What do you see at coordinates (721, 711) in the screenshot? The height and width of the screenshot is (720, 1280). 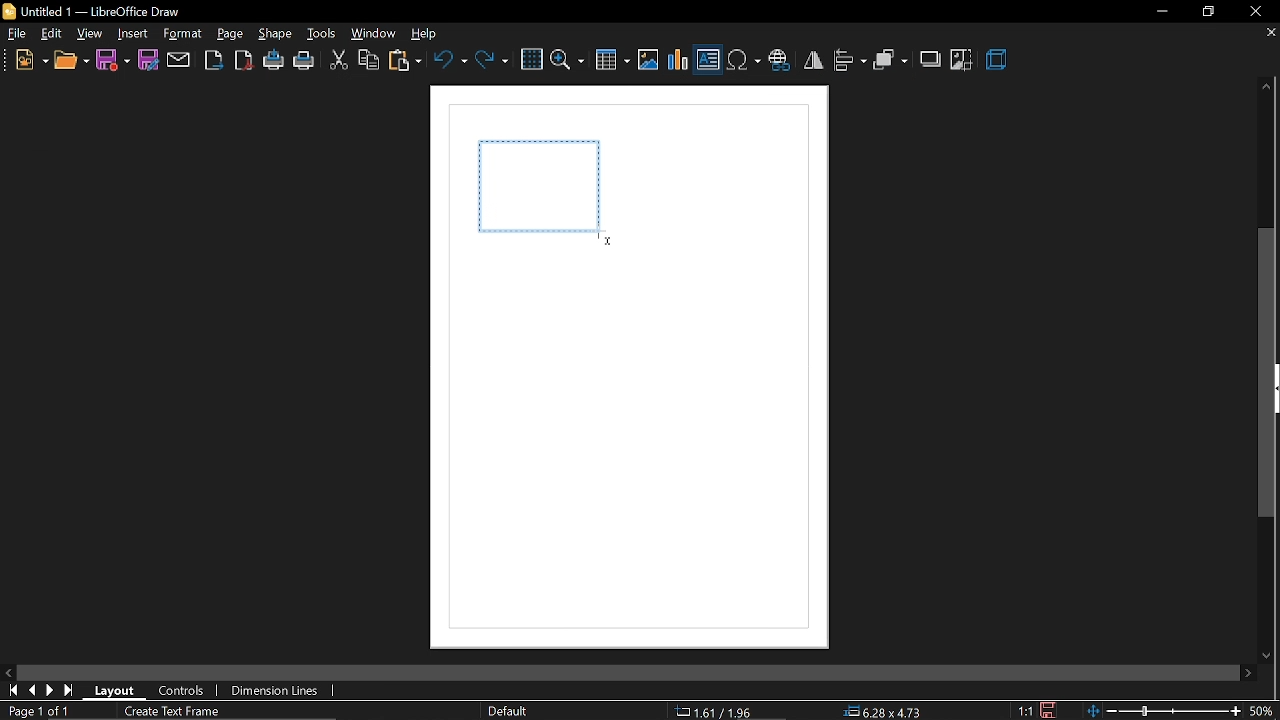 I see `co-ordinate` at bounding box center [721, 711].